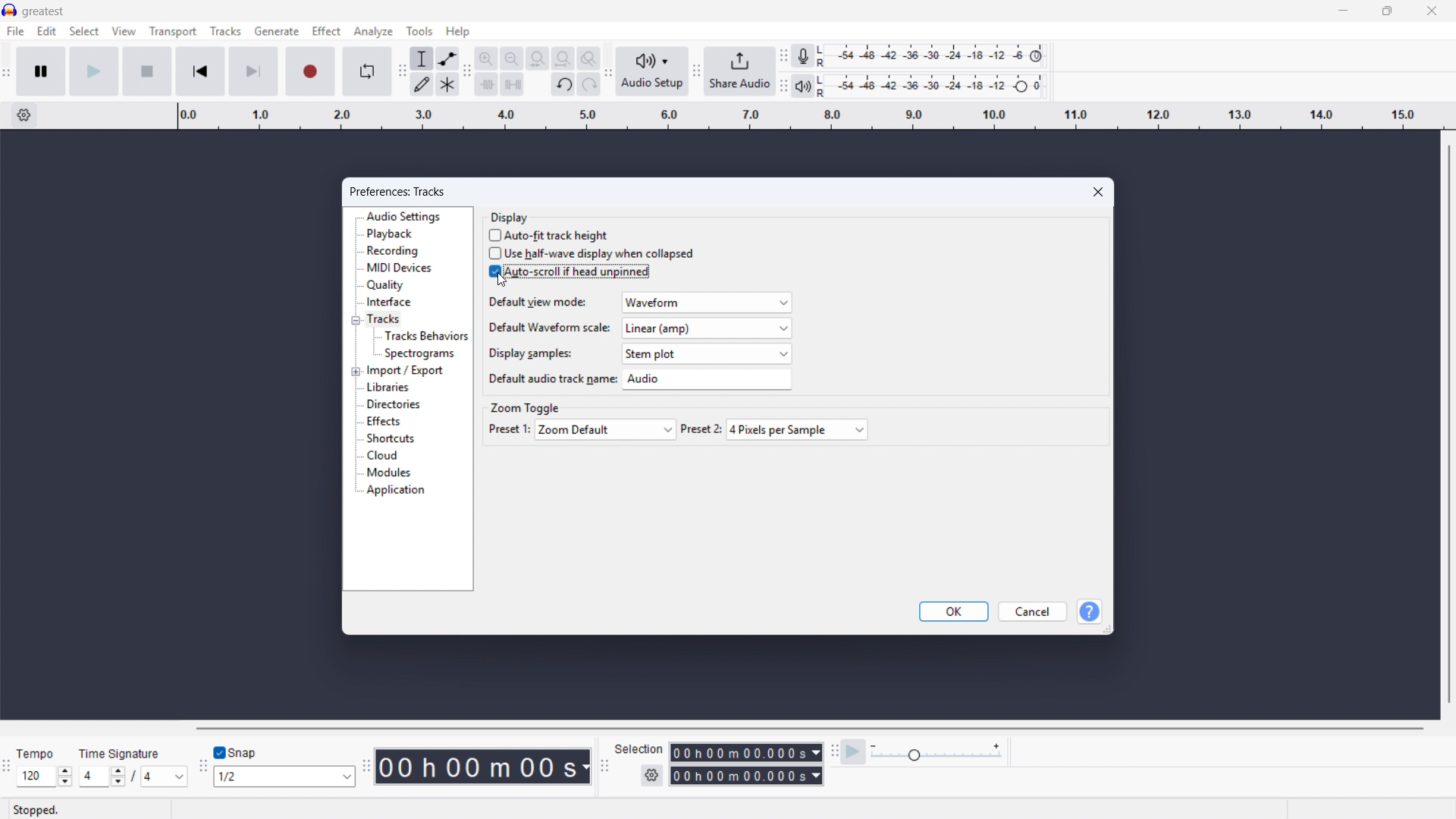 This screenshot has height=819, width=1456. What do you see at coordinates (745, 753) in the screenshot?
I see `Selection start time` at bounding box center [745, 753].